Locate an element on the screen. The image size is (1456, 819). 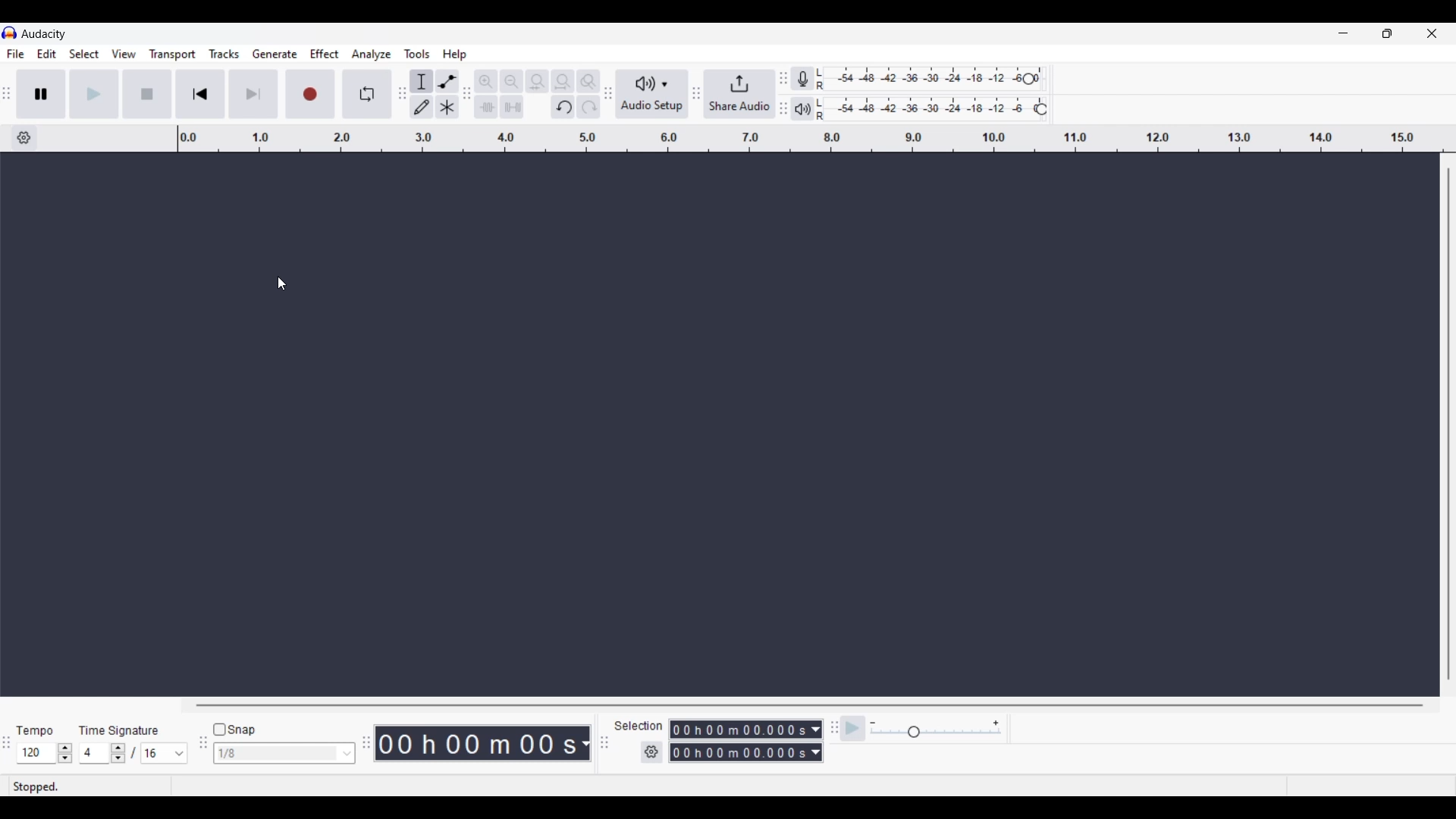
Text is located at coordinates (119, 730).